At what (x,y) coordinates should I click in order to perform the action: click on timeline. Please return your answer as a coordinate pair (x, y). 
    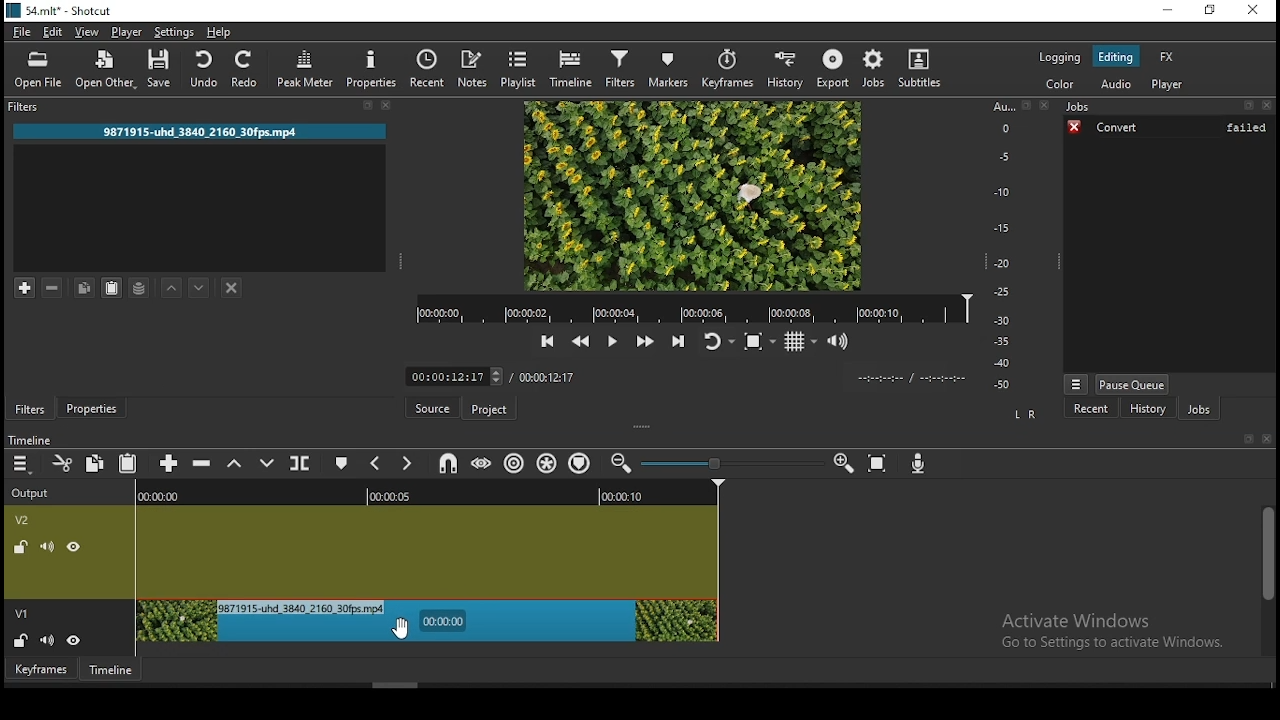
    Looking at the image, I should click on (111, 668).